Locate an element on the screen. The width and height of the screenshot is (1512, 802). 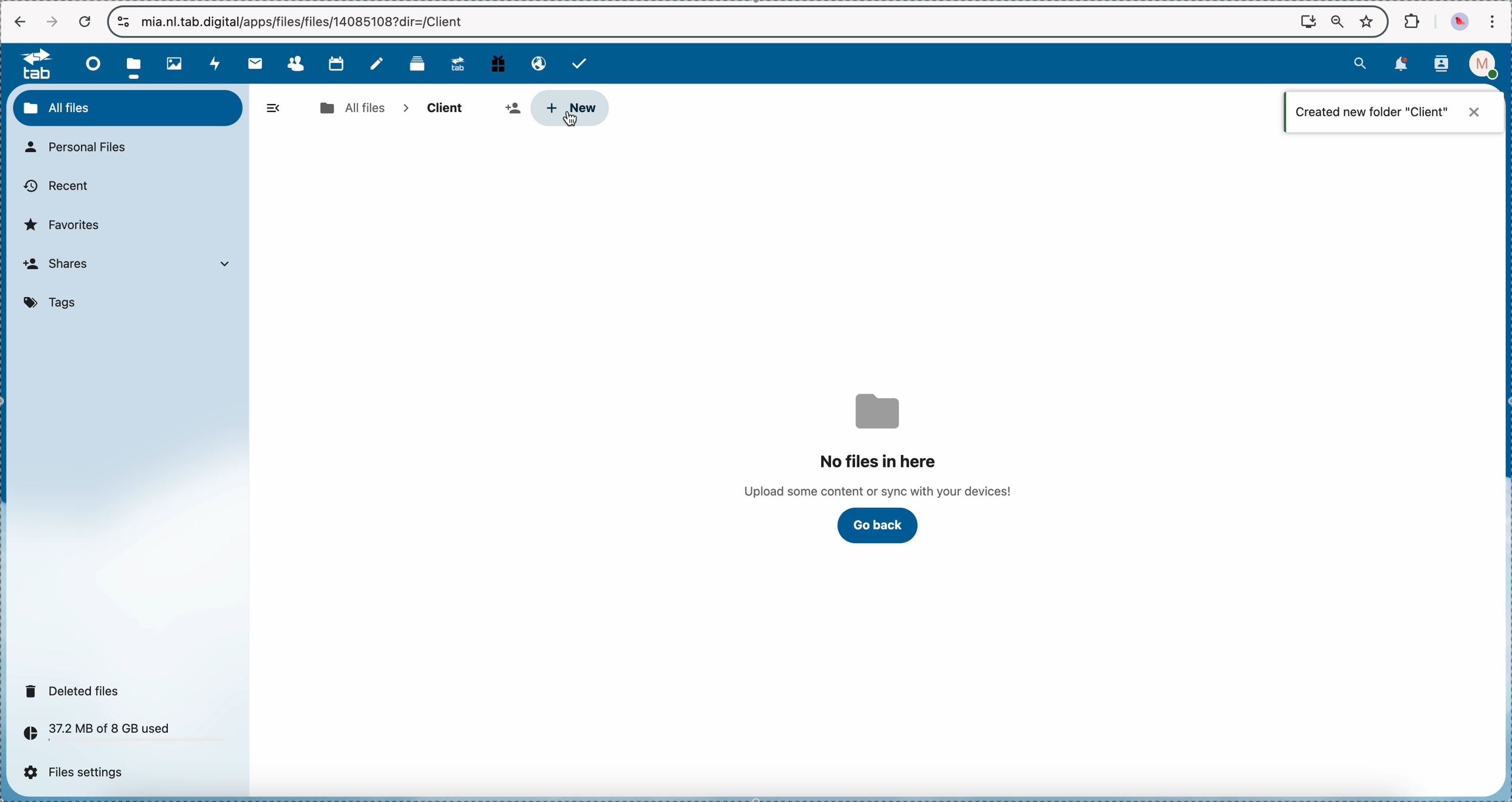
hide menu is located at coordinates (274, 109).